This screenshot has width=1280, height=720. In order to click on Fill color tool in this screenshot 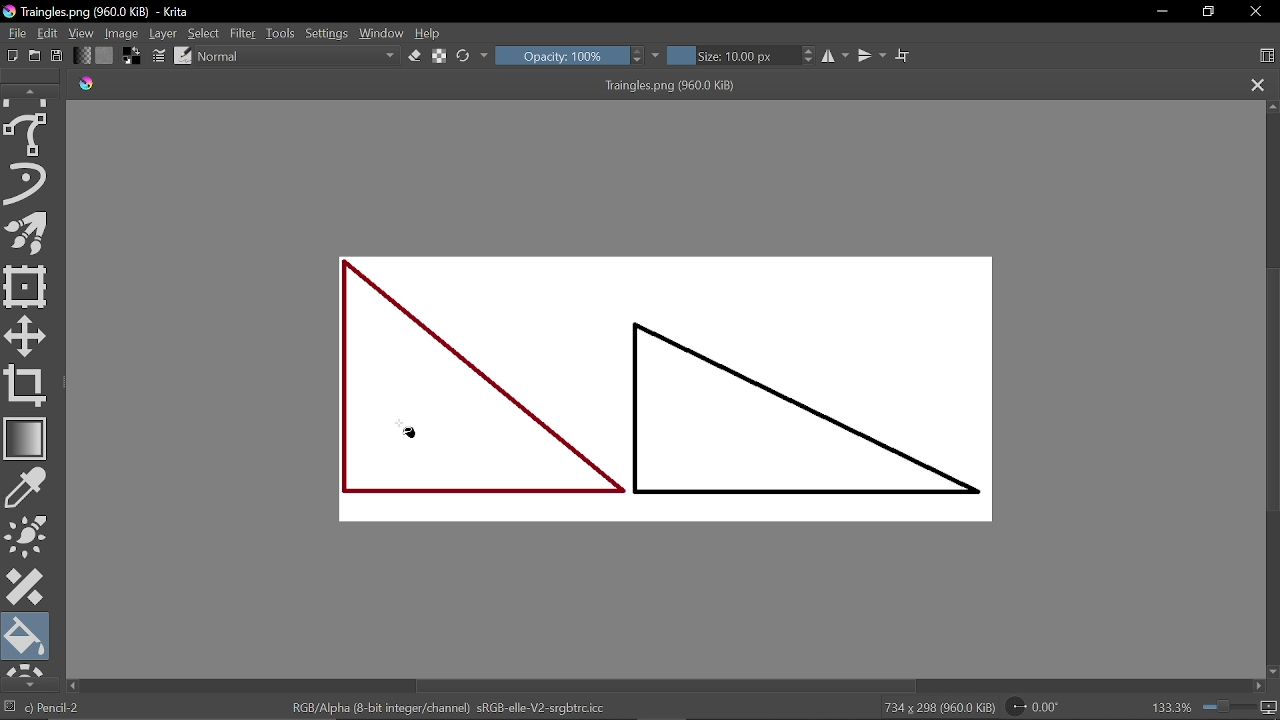, I will do `click(27, 636)`.